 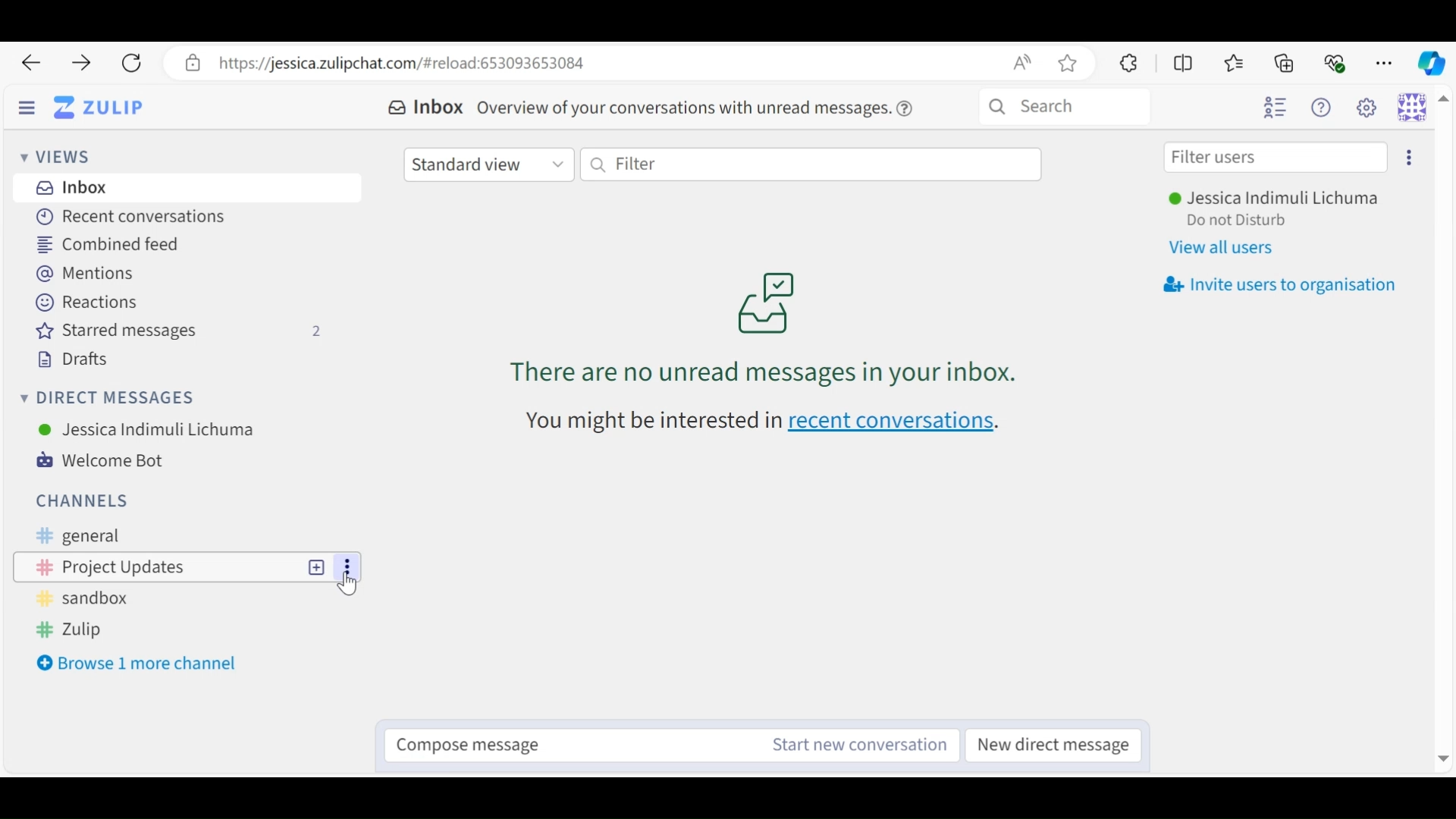 I want to click on Channel, so click(x=189, y=598).